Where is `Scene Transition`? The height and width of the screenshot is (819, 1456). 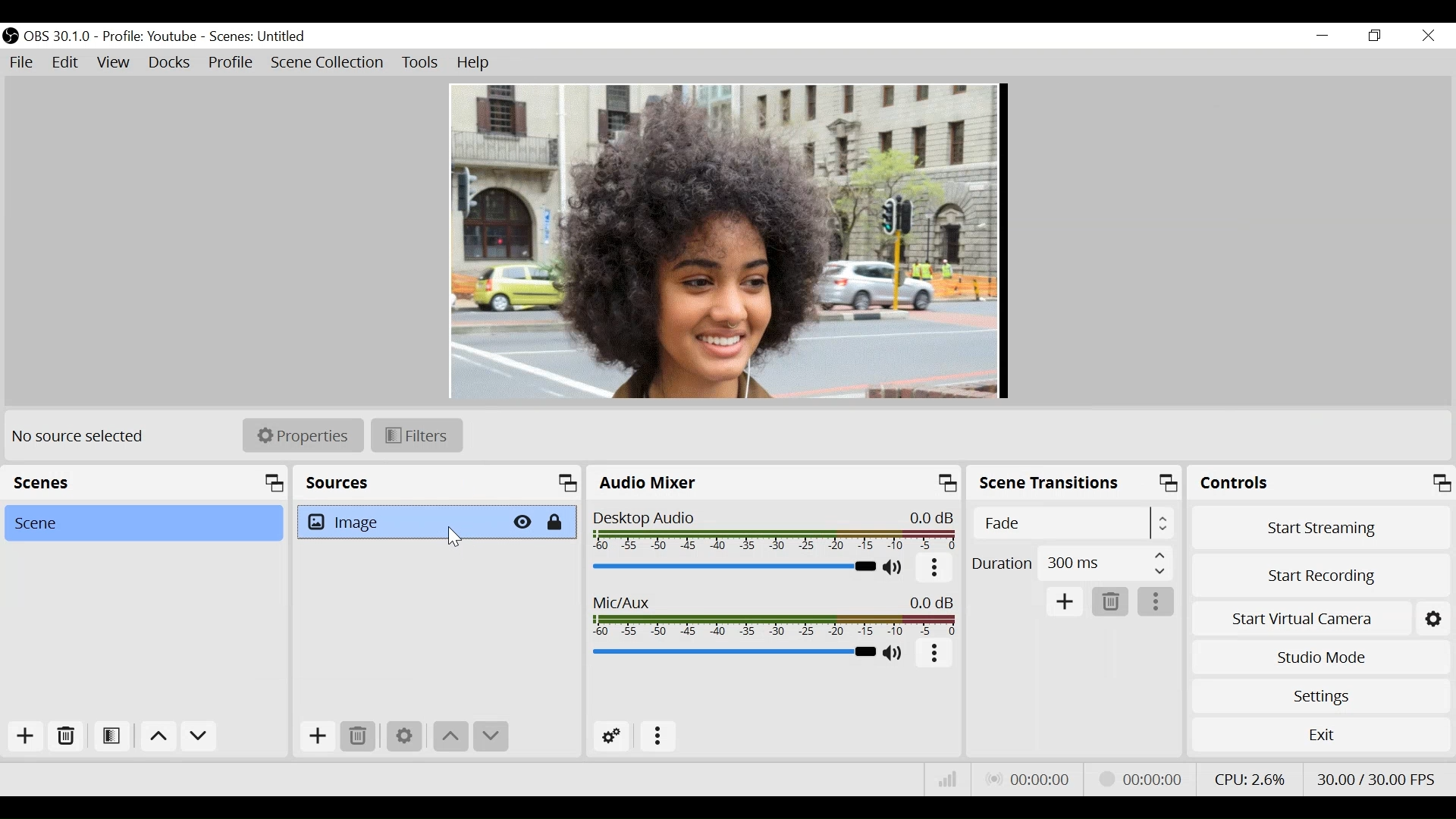 Scene Transition is located at coordinates (1075, 482).